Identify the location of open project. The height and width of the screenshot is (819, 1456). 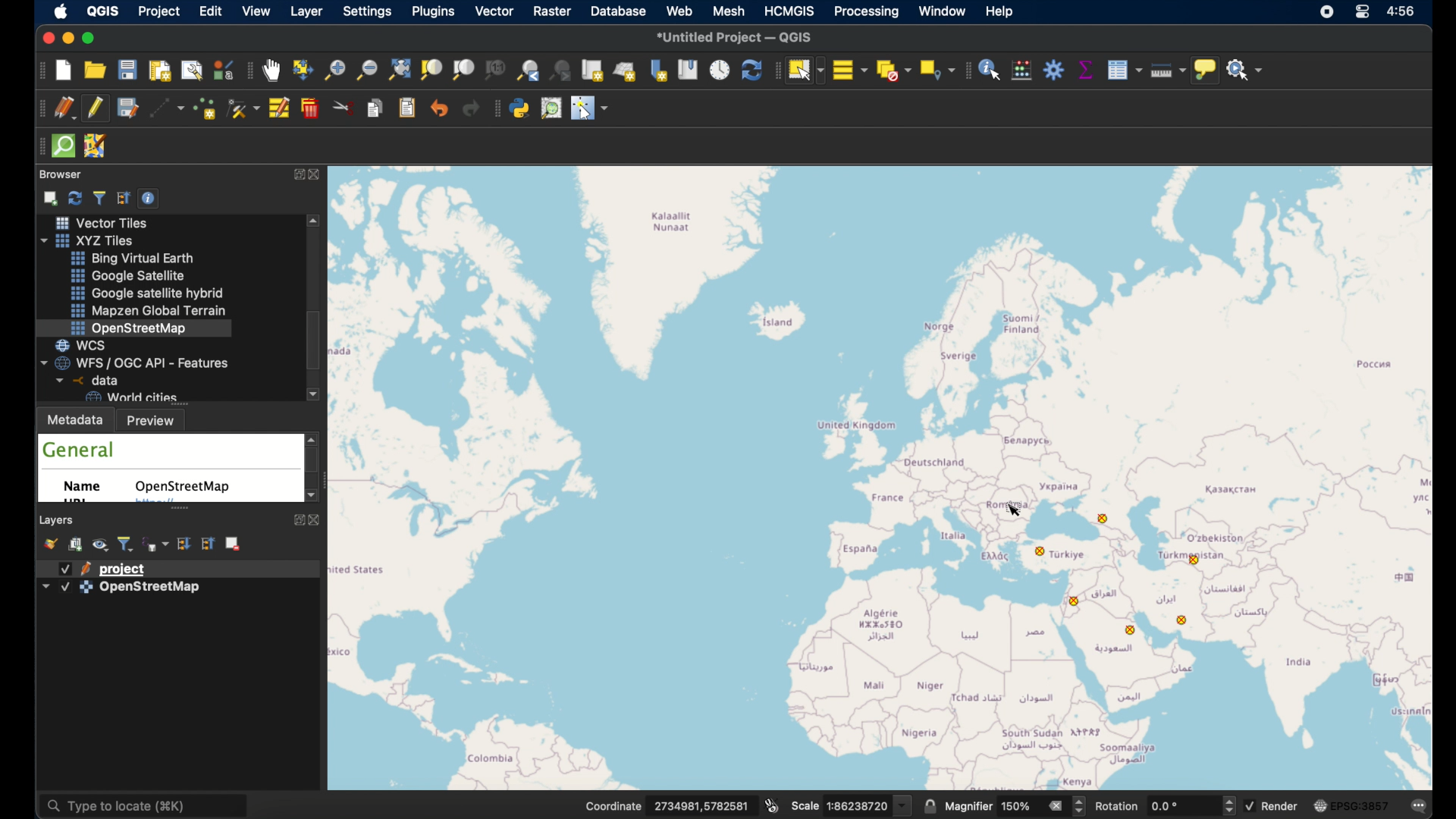
(94, 70).